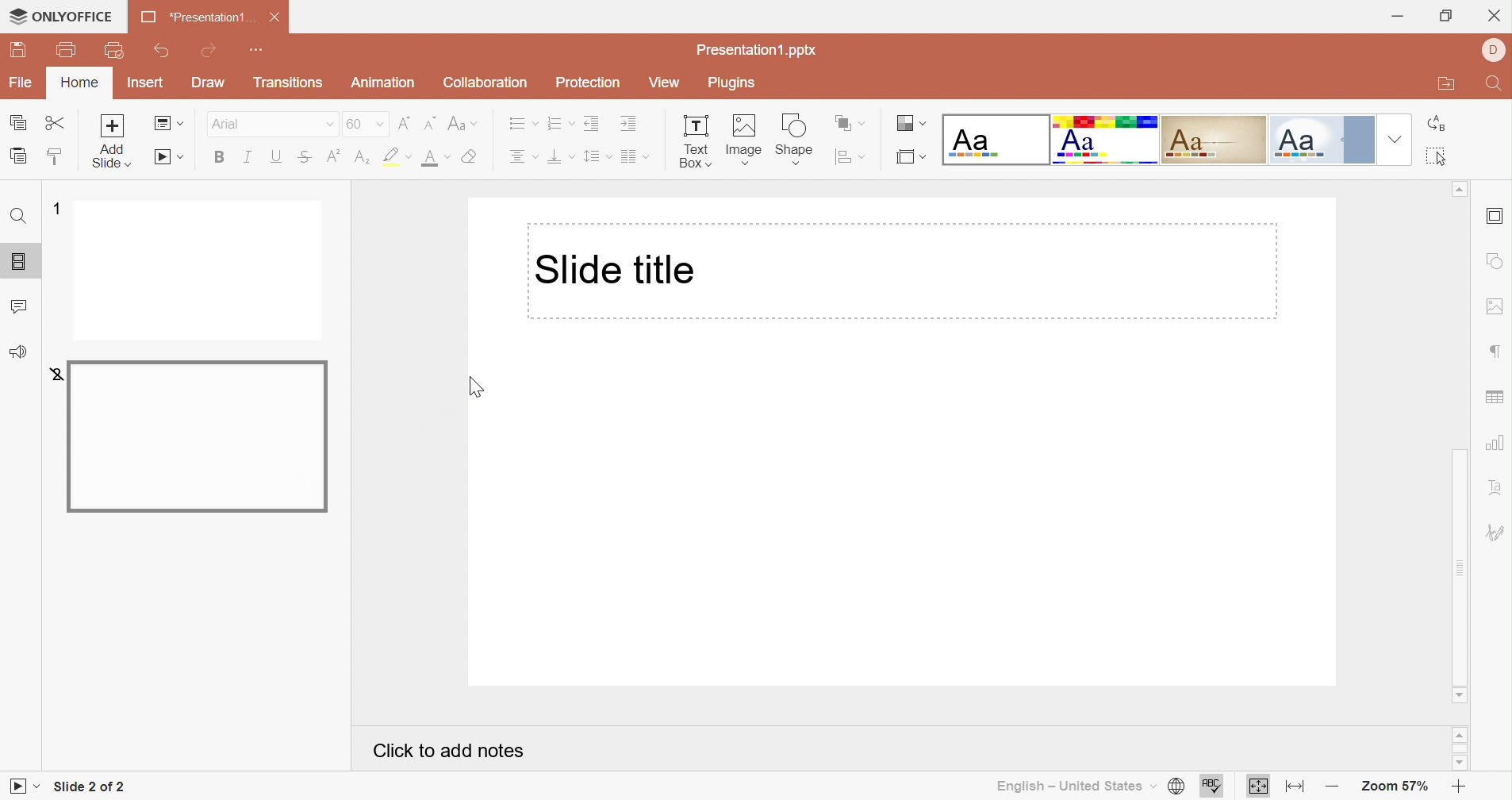 Image resolution: width=1512 pixels, height=800 pixels. Describe the element at coordinates (384, 85) in the screenshot. I see `Animation` at that location.